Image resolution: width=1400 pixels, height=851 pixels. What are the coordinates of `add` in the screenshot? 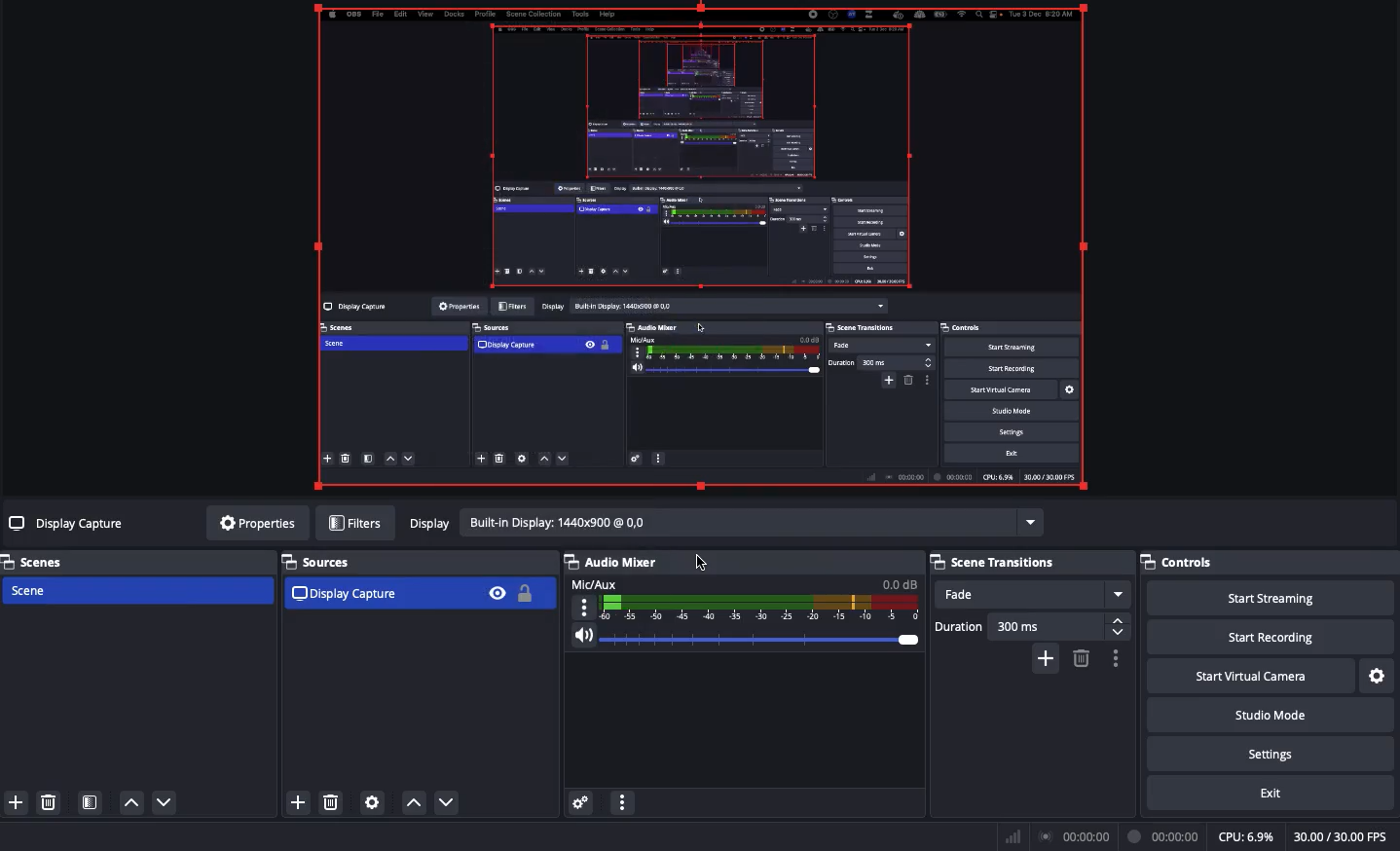 It's located at (1043, 661).